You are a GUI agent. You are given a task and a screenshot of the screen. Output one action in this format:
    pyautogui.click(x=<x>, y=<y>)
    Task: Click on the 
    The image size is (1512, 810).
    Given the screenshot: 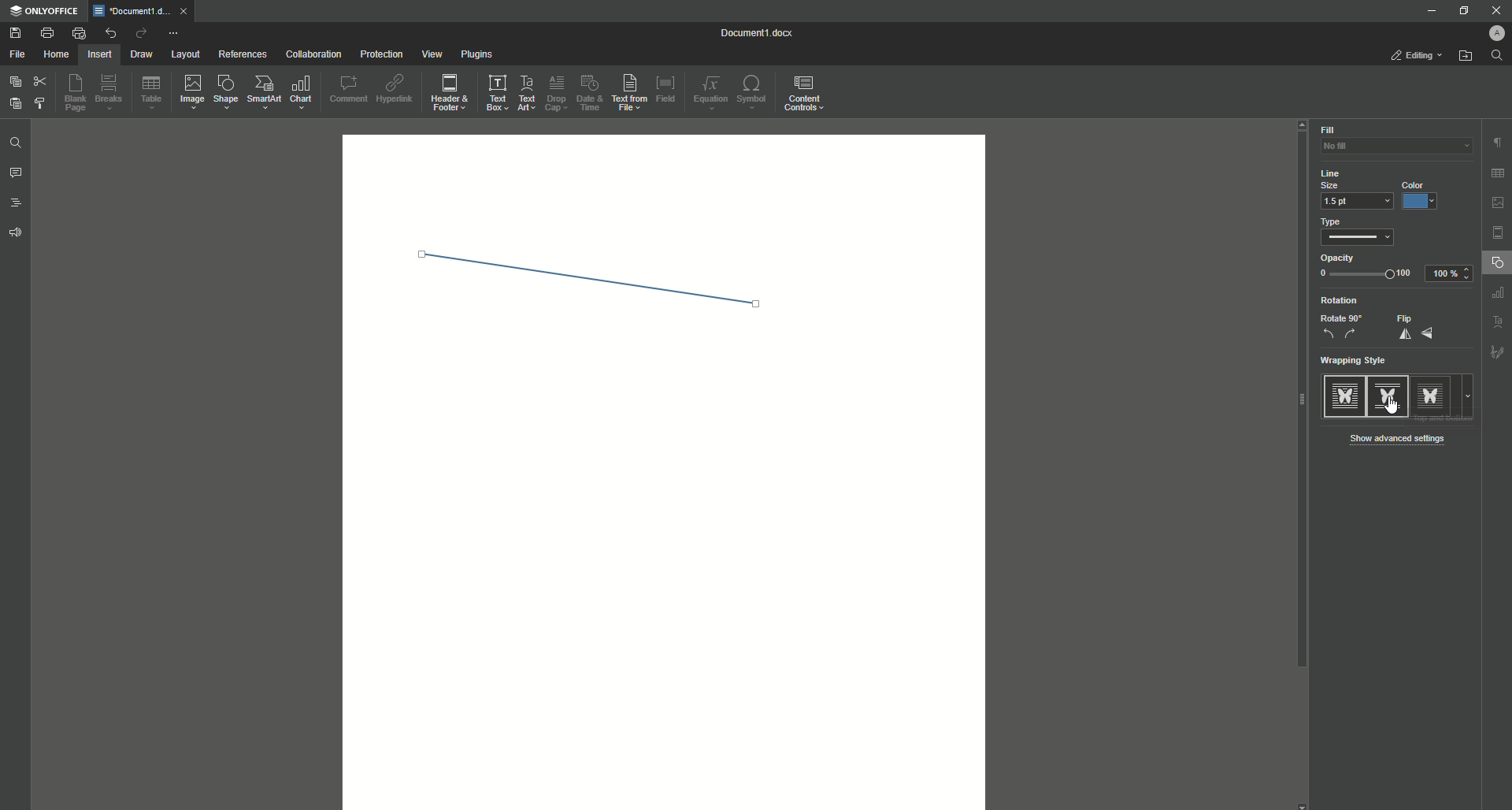 What is the action you would take?
    pyautogui.click(x=48, y=31)
    